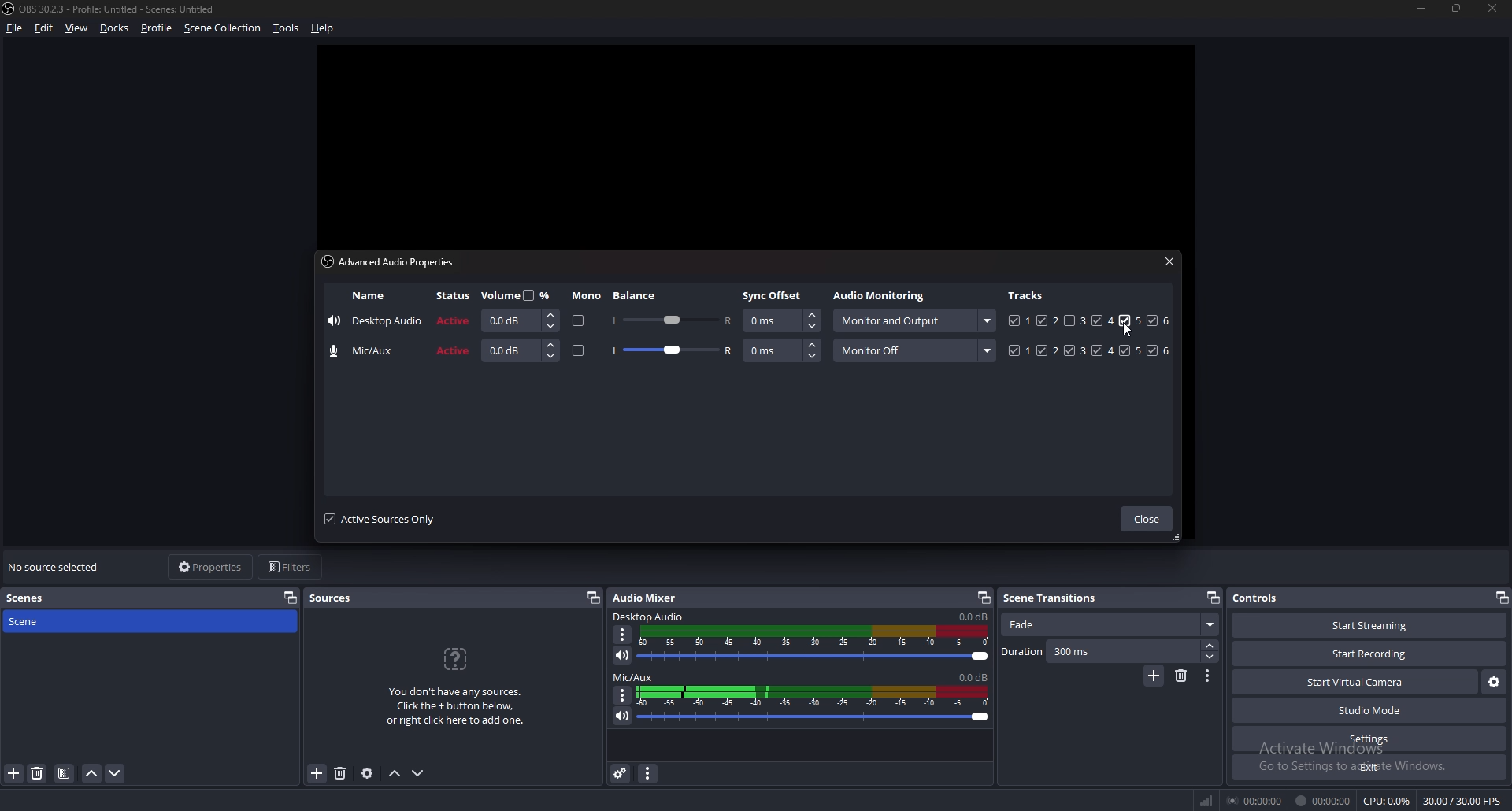 Image resolution: width=1512 pixels, height=811 pixels. What do you see at coordinates (93, 774) in the screenshot?
I see `move scene up` at bounding box center [93, 774].